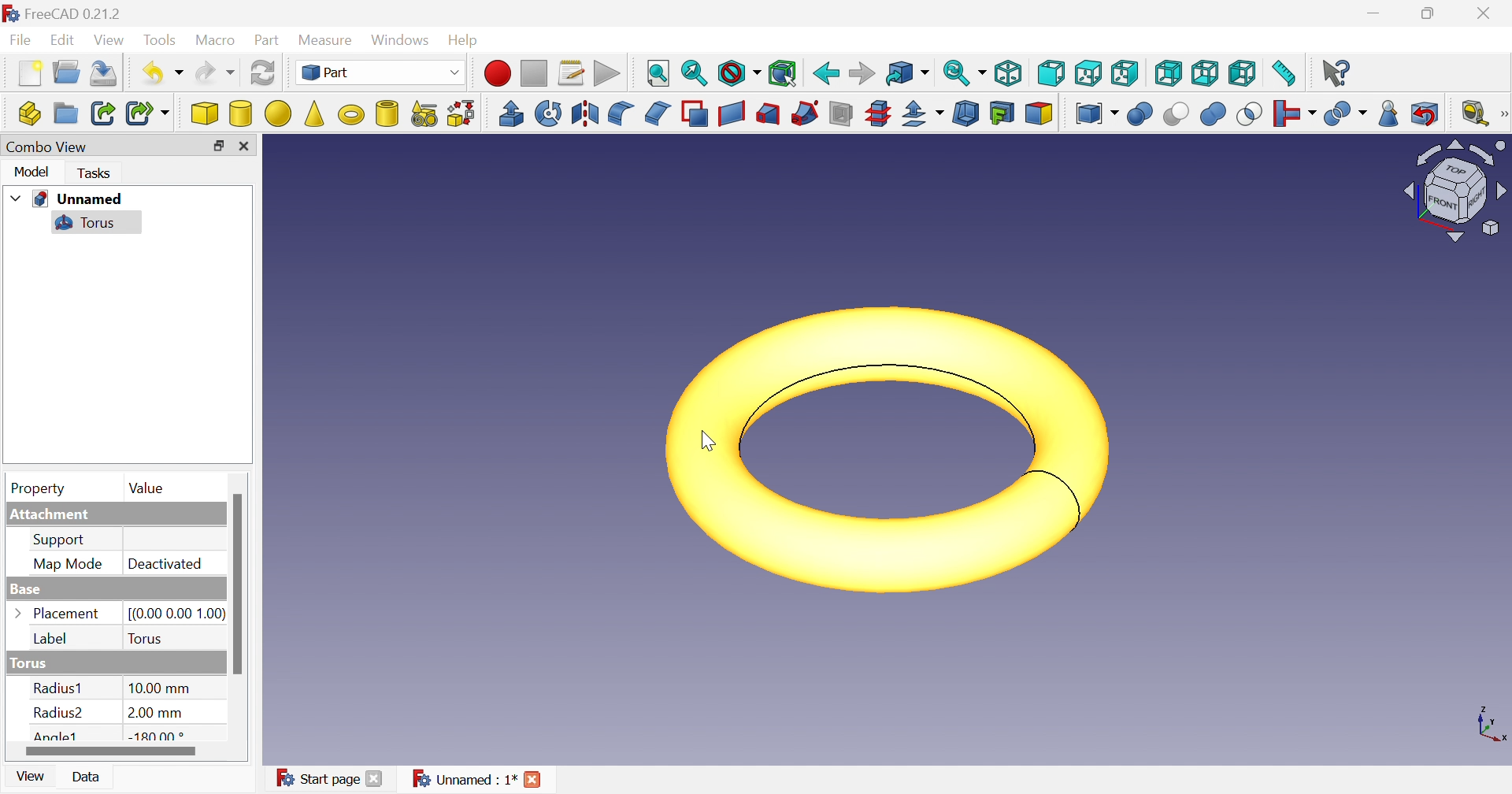  Describe the element at coordinates (54, 640) in the screenshot. I see `Label` at that location.